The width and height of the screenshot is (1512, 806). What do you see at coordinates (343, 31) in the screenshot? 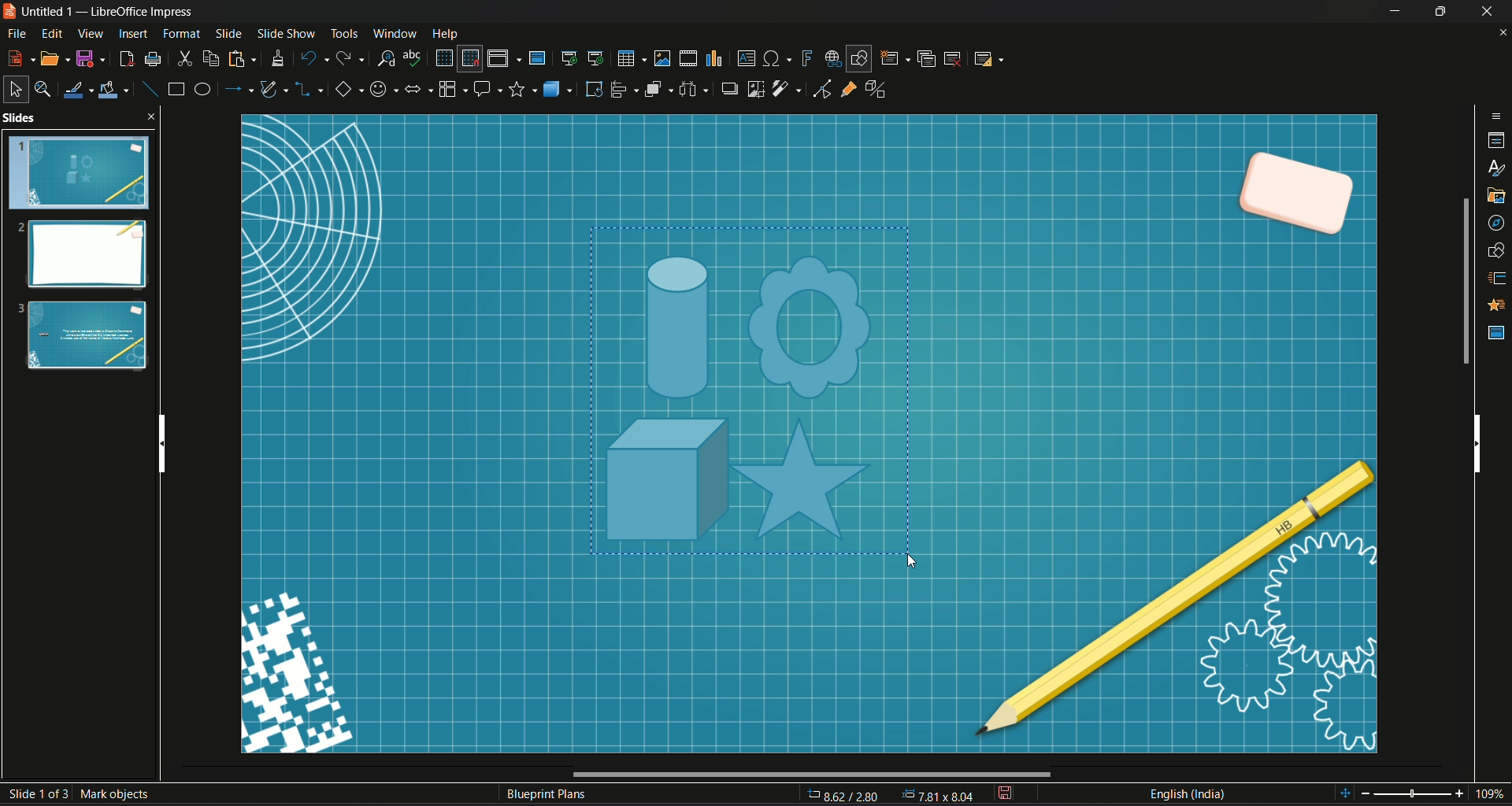
I see `Tools` at bounding box center [343, 31].